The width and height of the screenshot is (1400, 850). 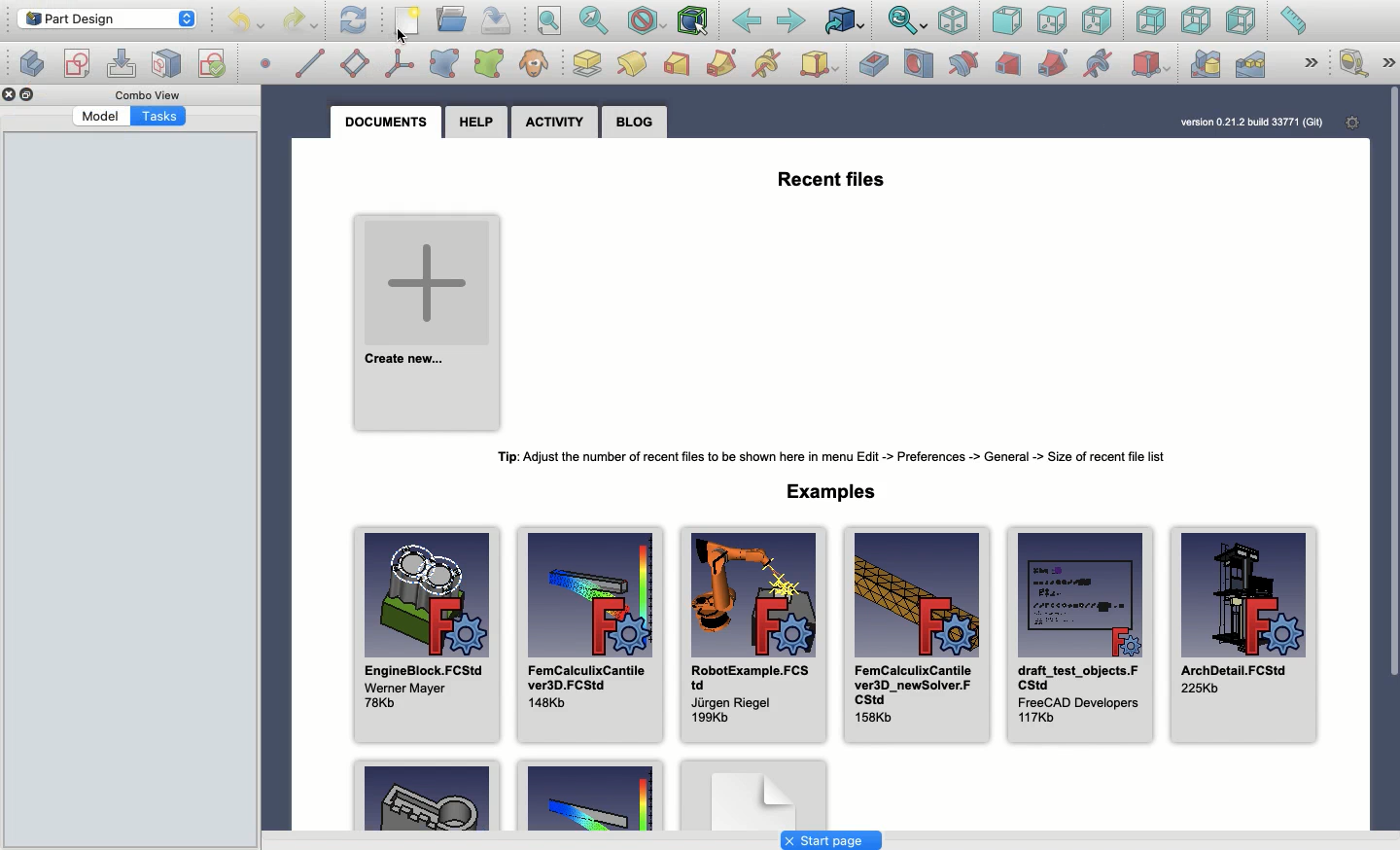 I want to click on Back, so click(x=748, y=21).